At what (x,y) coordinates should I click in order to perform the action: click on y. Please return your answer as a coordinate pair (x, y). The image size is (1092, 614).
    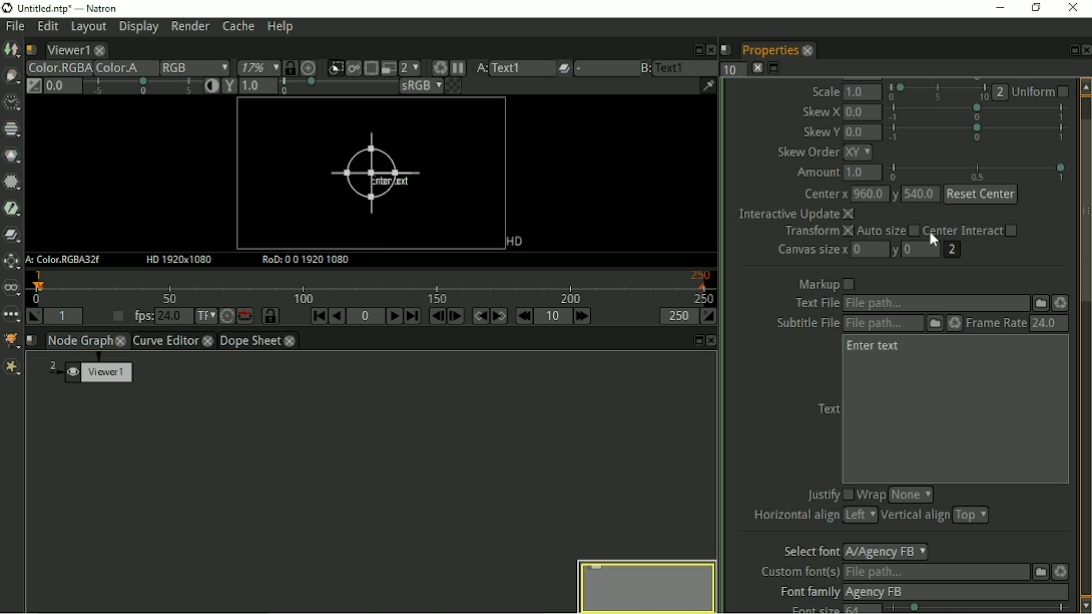
    Looking at the image, I should click on (895, 252).